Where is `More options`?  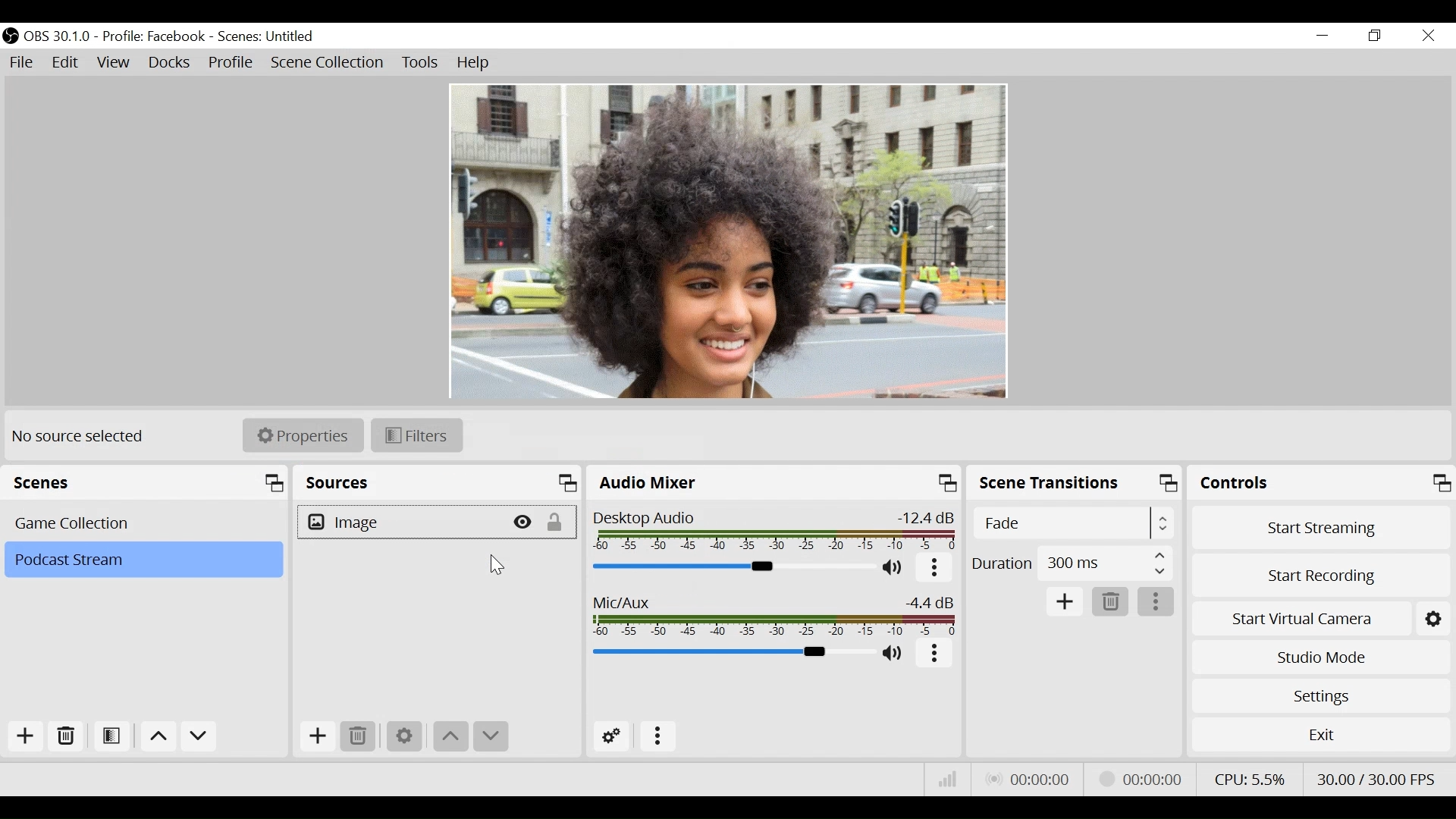
More options is located at coordinates (936, 655).